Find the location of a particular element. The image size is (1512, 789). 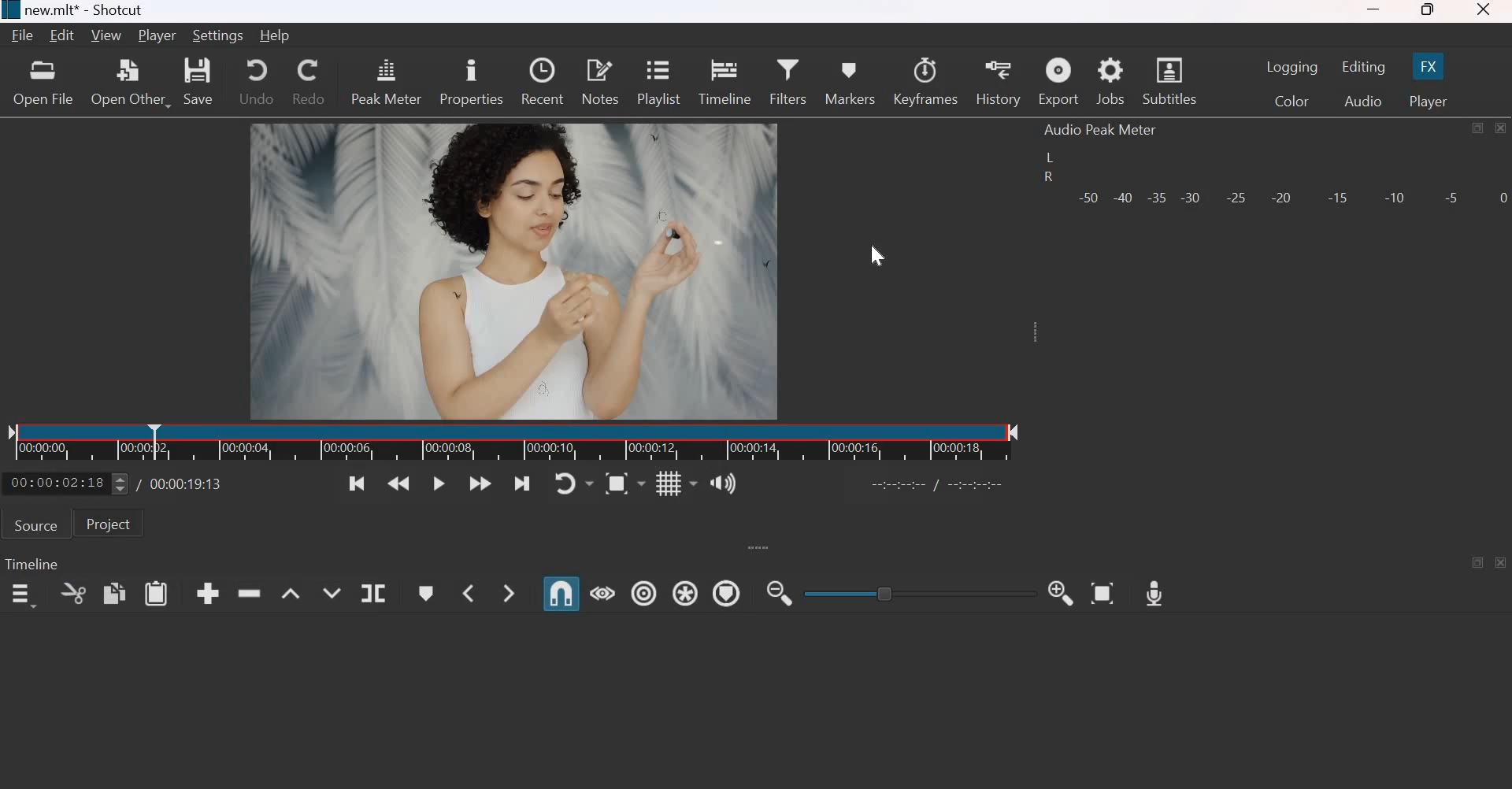

 is located at coordinates (44, 83).